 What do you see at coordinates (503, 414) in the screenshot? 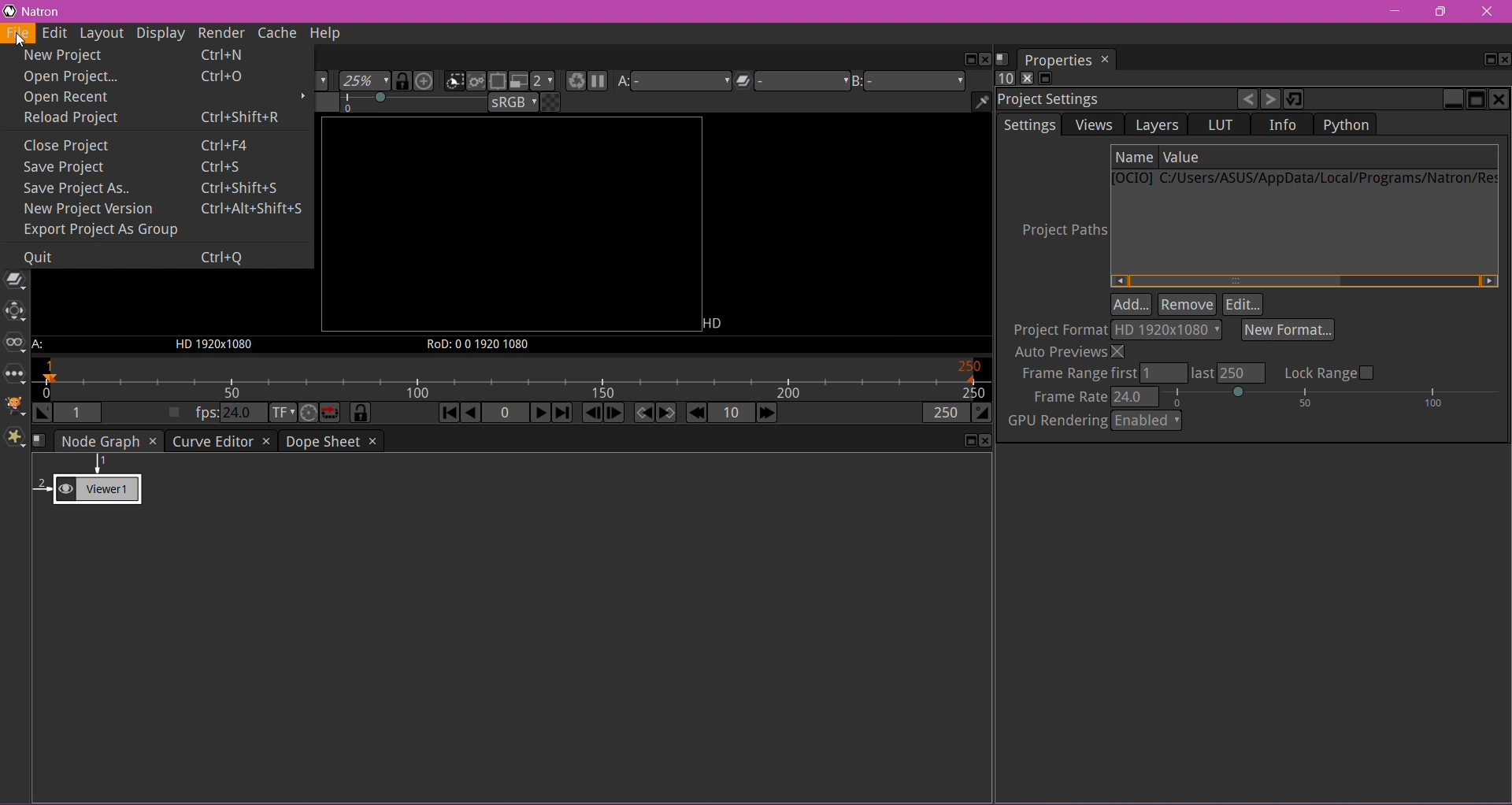
I see `Current frame number` at bounding box center [503, 414].